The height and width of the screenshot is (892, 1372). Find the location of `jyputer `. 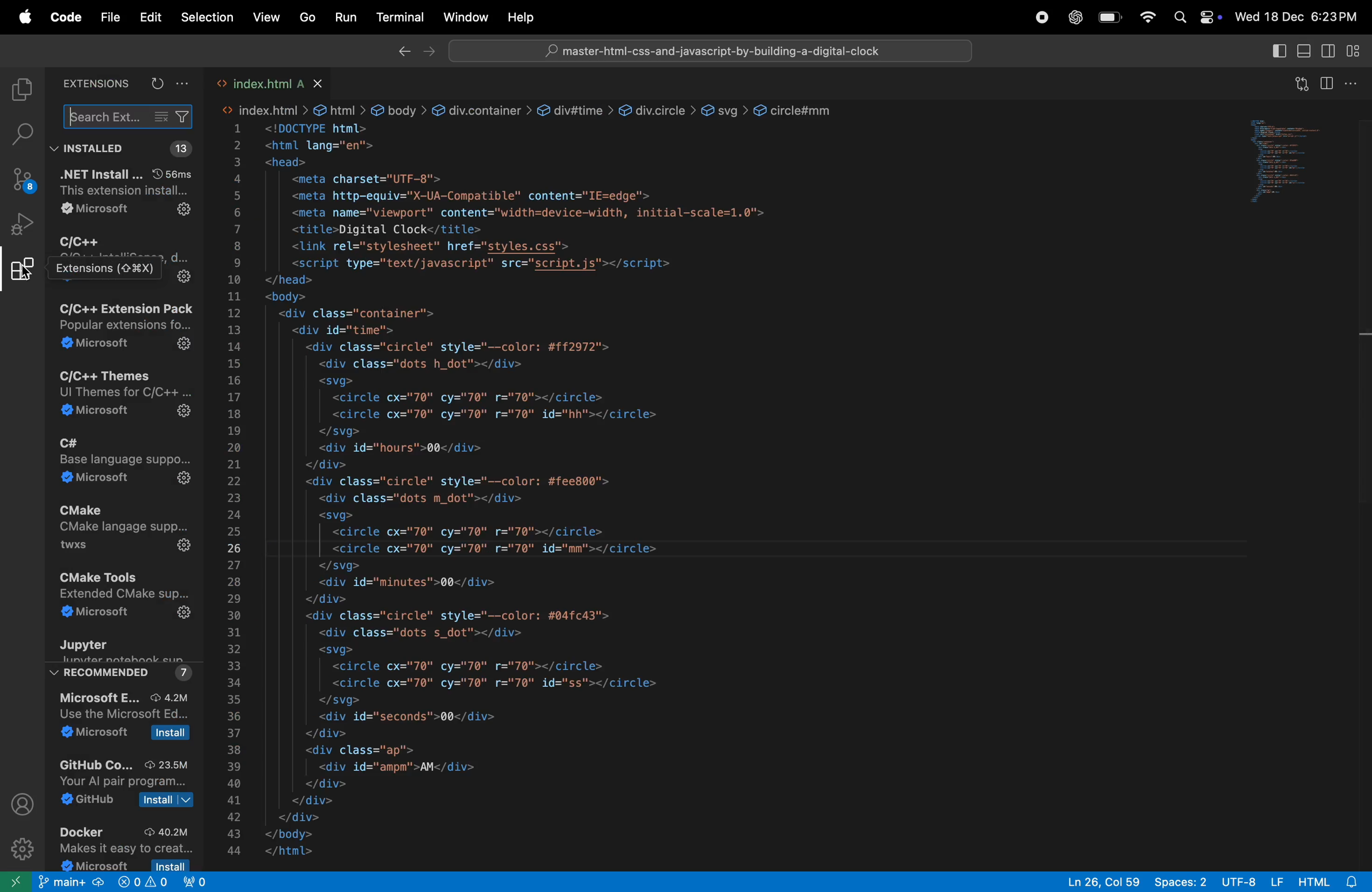

jyputer  is located at coordinates (126, 658).